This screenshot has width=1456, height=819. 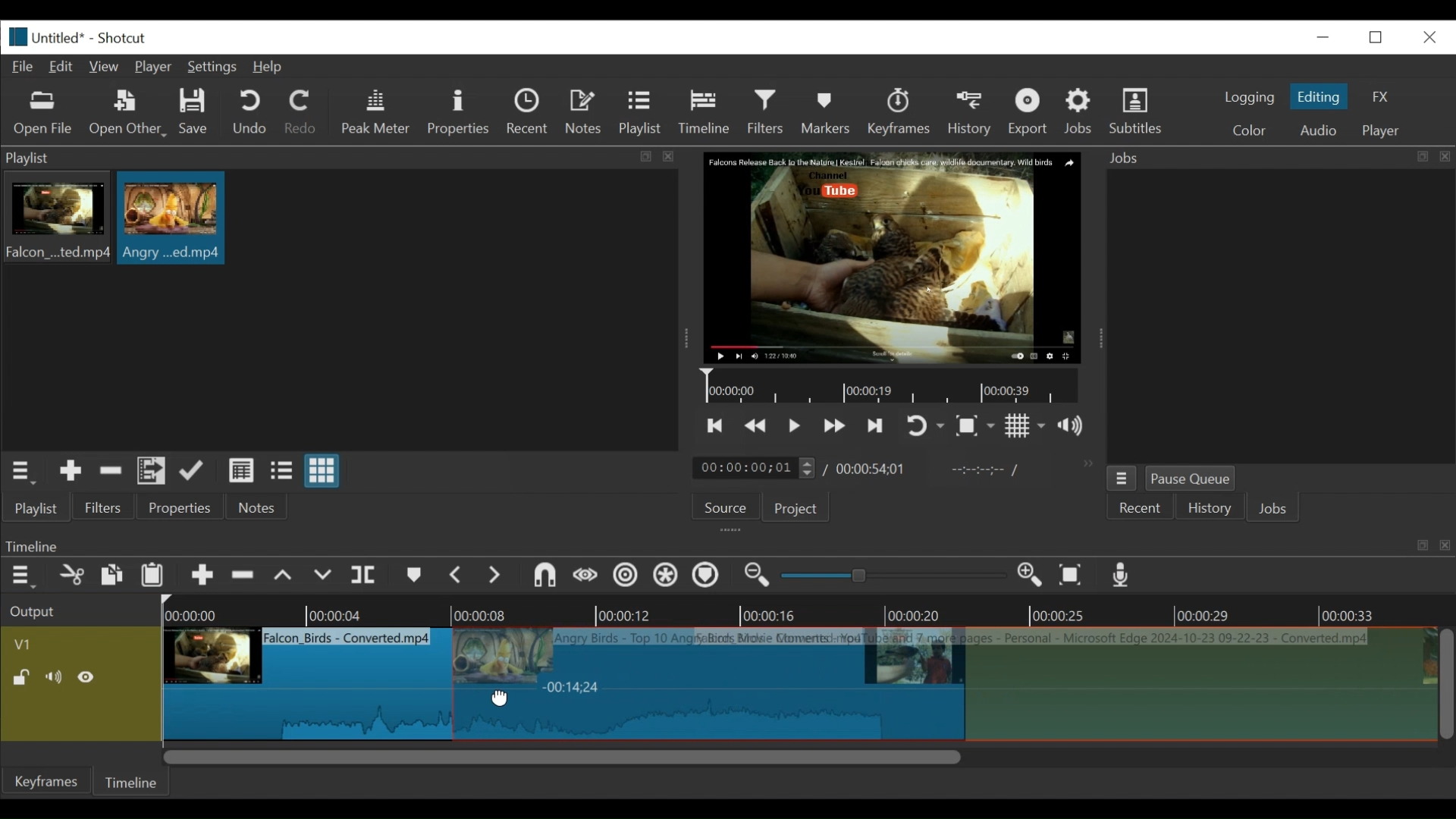 I want to click on Keyframes, so click(x=48, y=781).